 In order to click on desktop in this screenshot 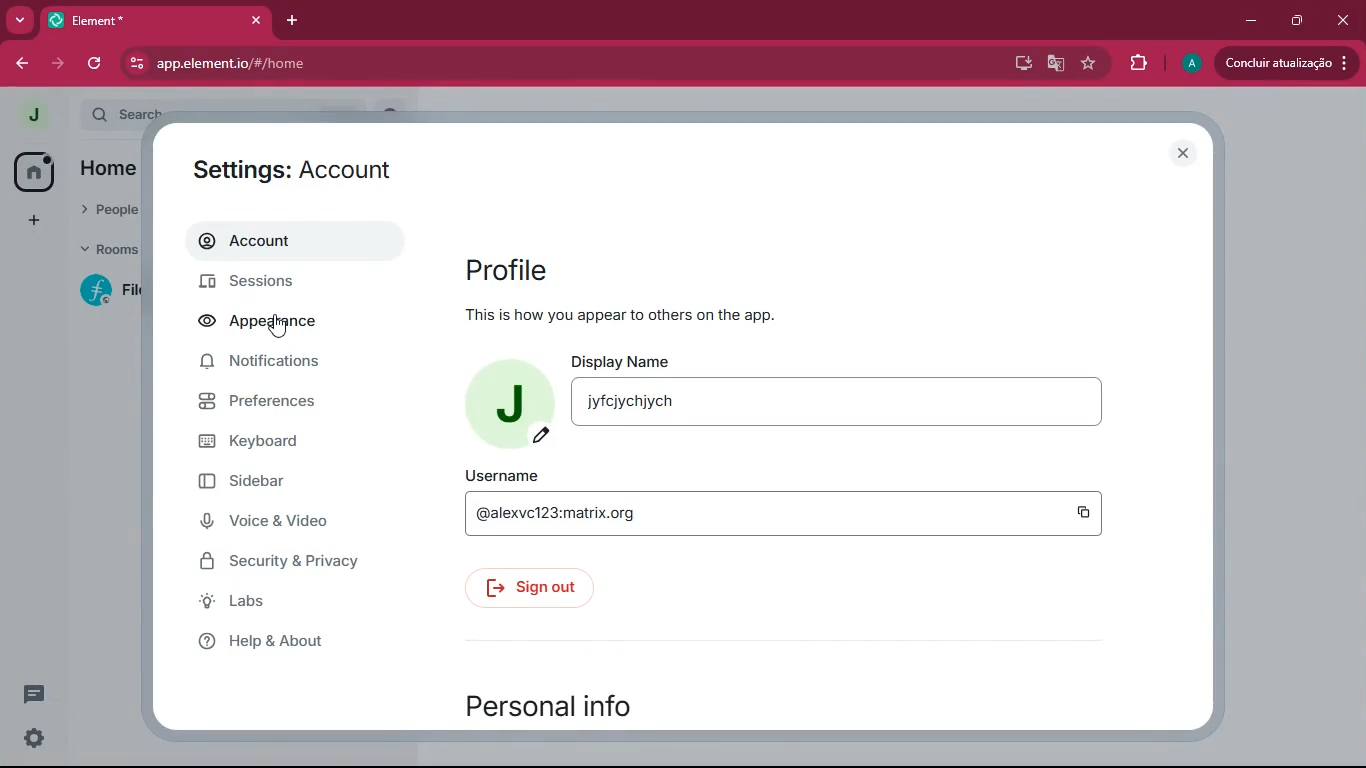, I will do `click(1020, 64)`.